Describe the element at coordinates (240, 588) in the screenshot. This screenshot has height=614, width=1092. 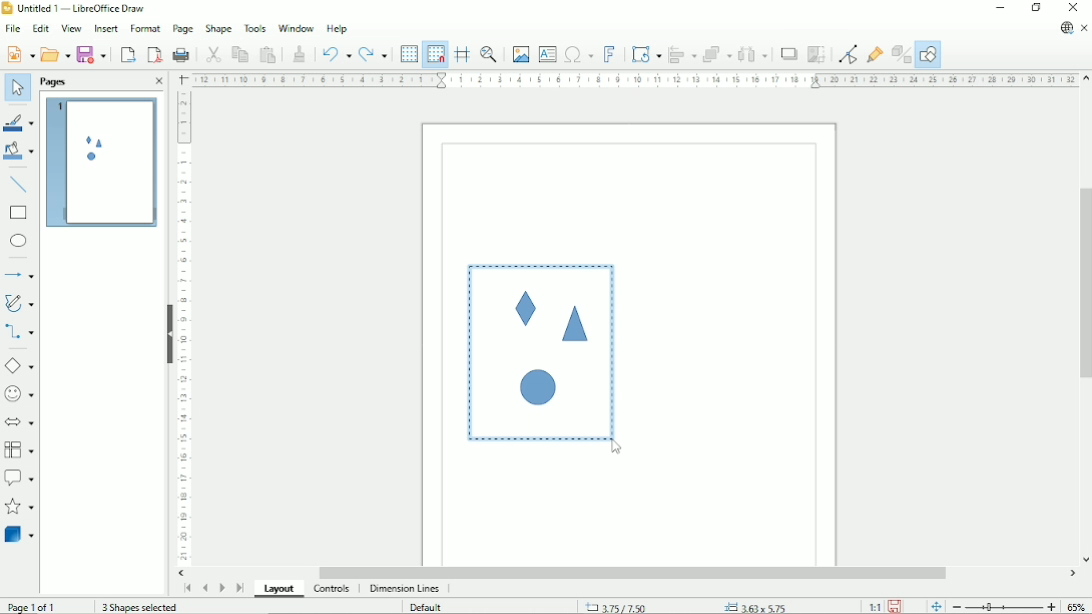
I see `Scroll to last page` at that location.